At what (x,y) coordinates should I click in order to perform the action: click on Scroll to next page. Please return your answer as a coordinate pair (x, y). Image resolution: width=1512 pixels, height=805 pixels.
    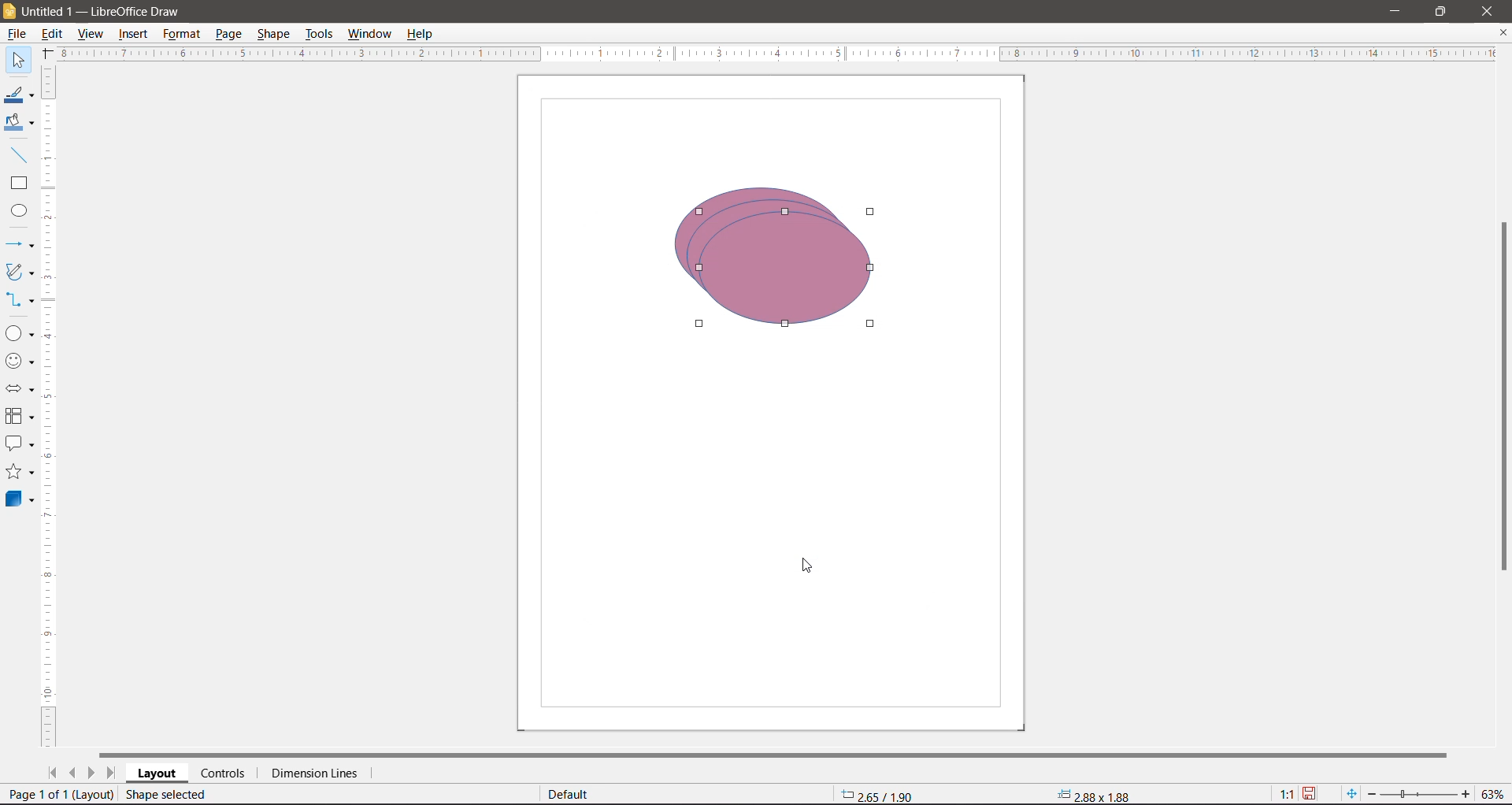
    Looking at the image, I should click on (92, 773).